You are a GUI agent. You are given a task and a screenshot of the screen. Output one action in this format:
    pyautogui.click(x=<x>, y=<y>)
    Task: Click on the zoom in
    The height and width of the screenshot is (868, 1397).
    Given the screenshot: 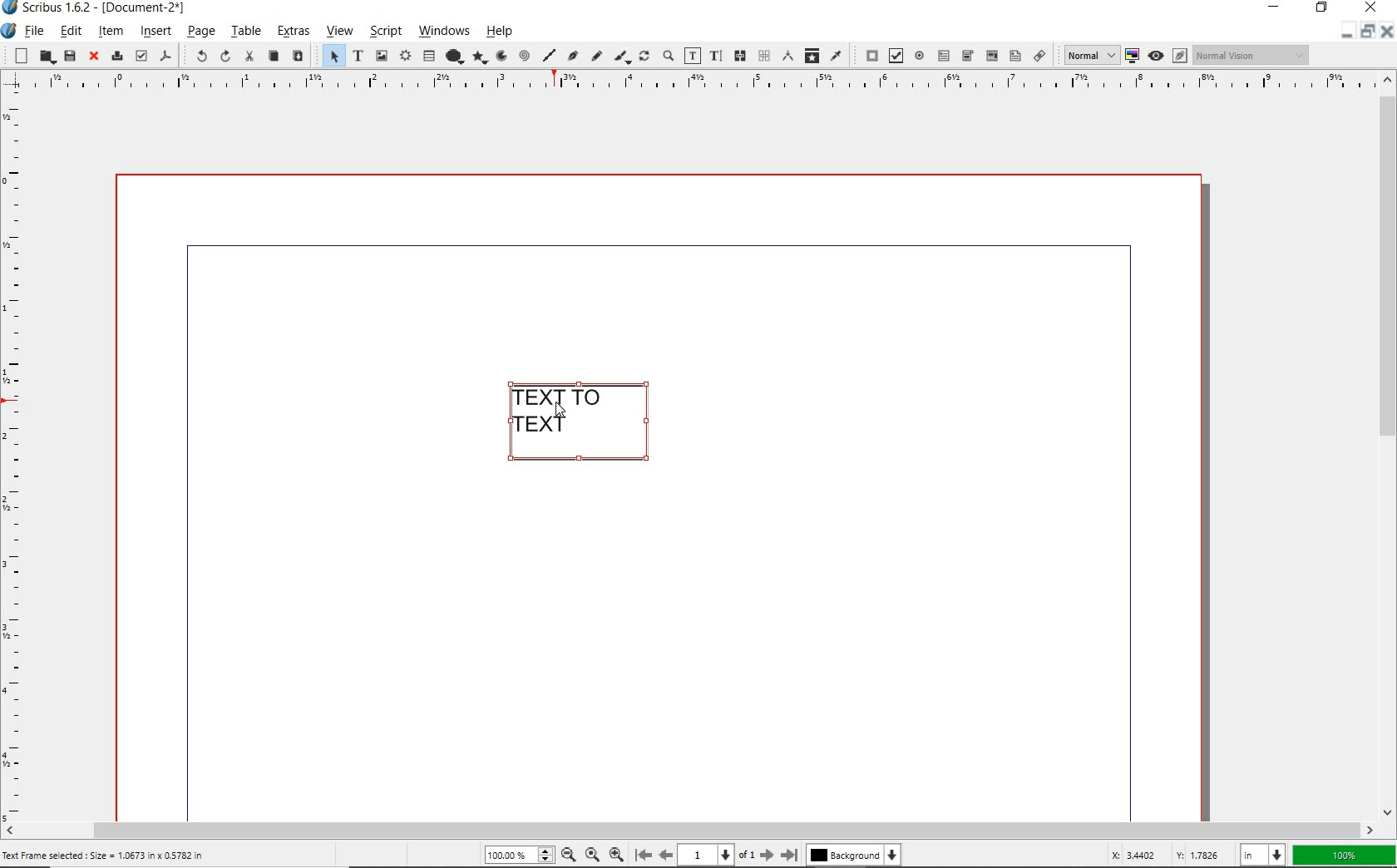 What is the action you would take?
    pyautogui.click(x=620, y=852)
    